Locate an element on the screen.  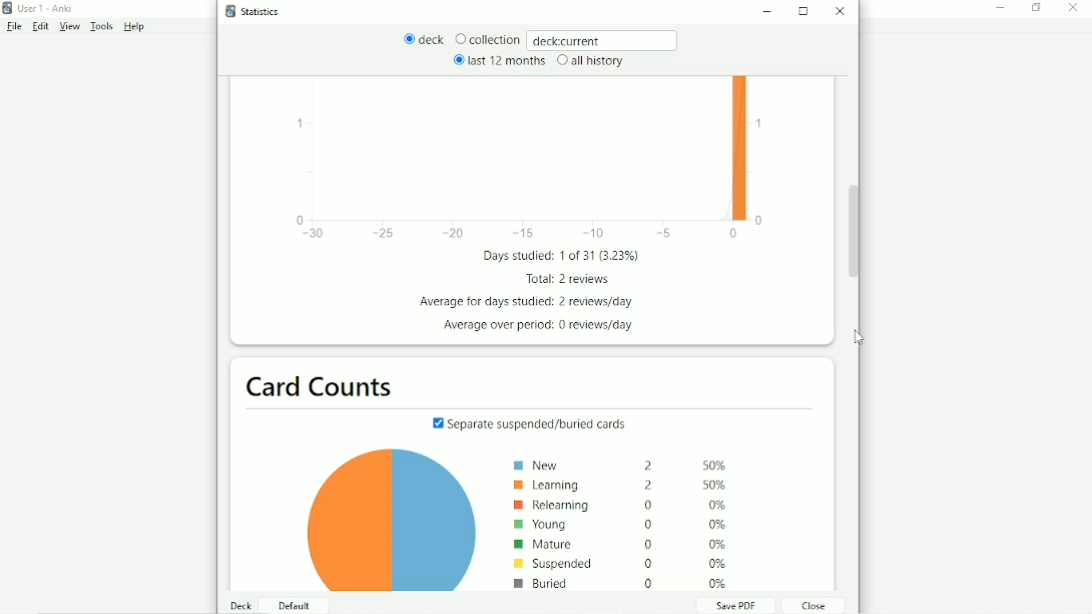
Save PDF is located at coordinates (735, 605).